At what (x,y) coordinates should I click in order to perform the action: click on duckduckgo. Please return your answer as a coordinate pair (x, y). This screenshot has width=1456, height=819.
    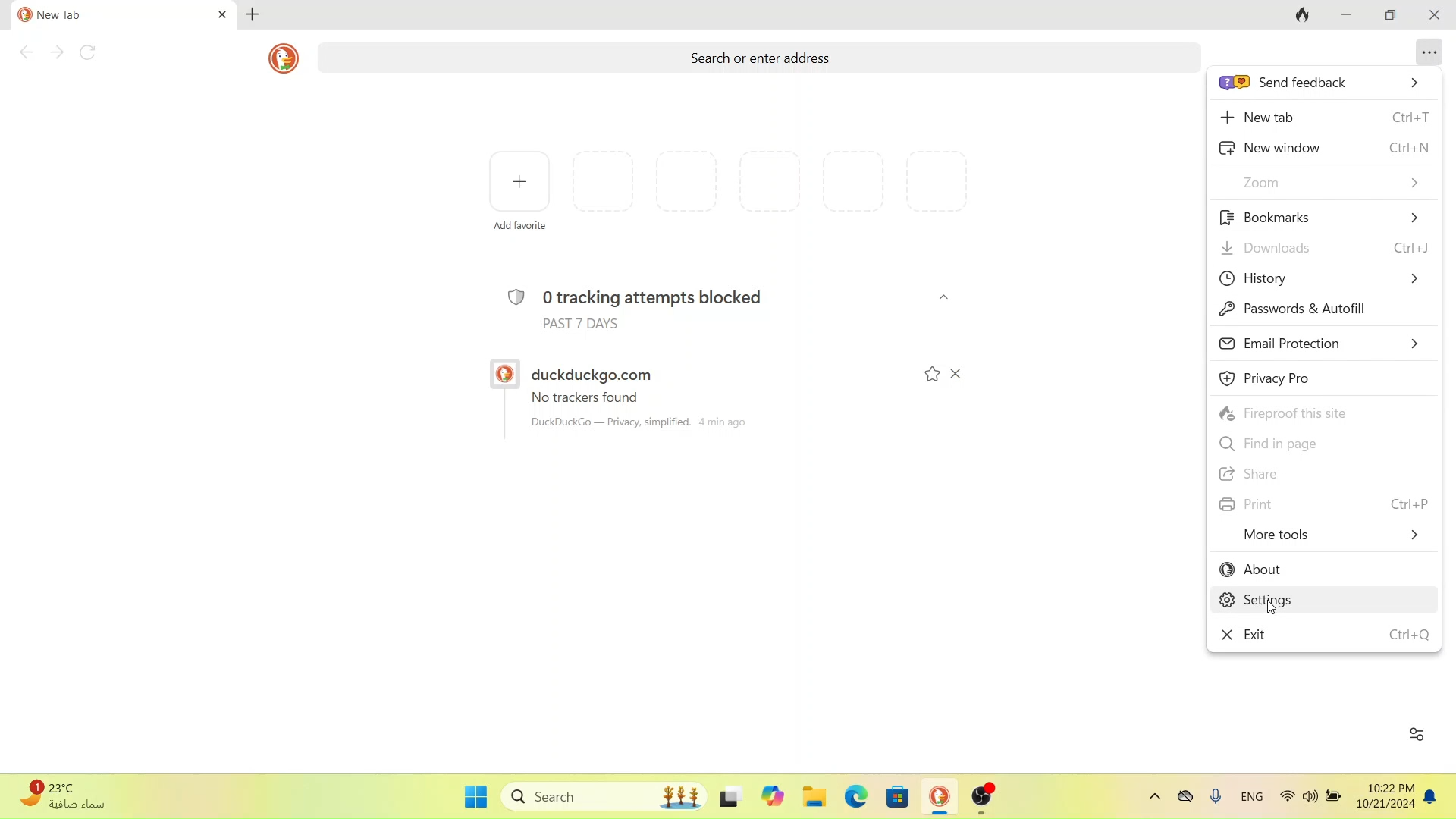
    Looking at the image, I should click on (939, 800).